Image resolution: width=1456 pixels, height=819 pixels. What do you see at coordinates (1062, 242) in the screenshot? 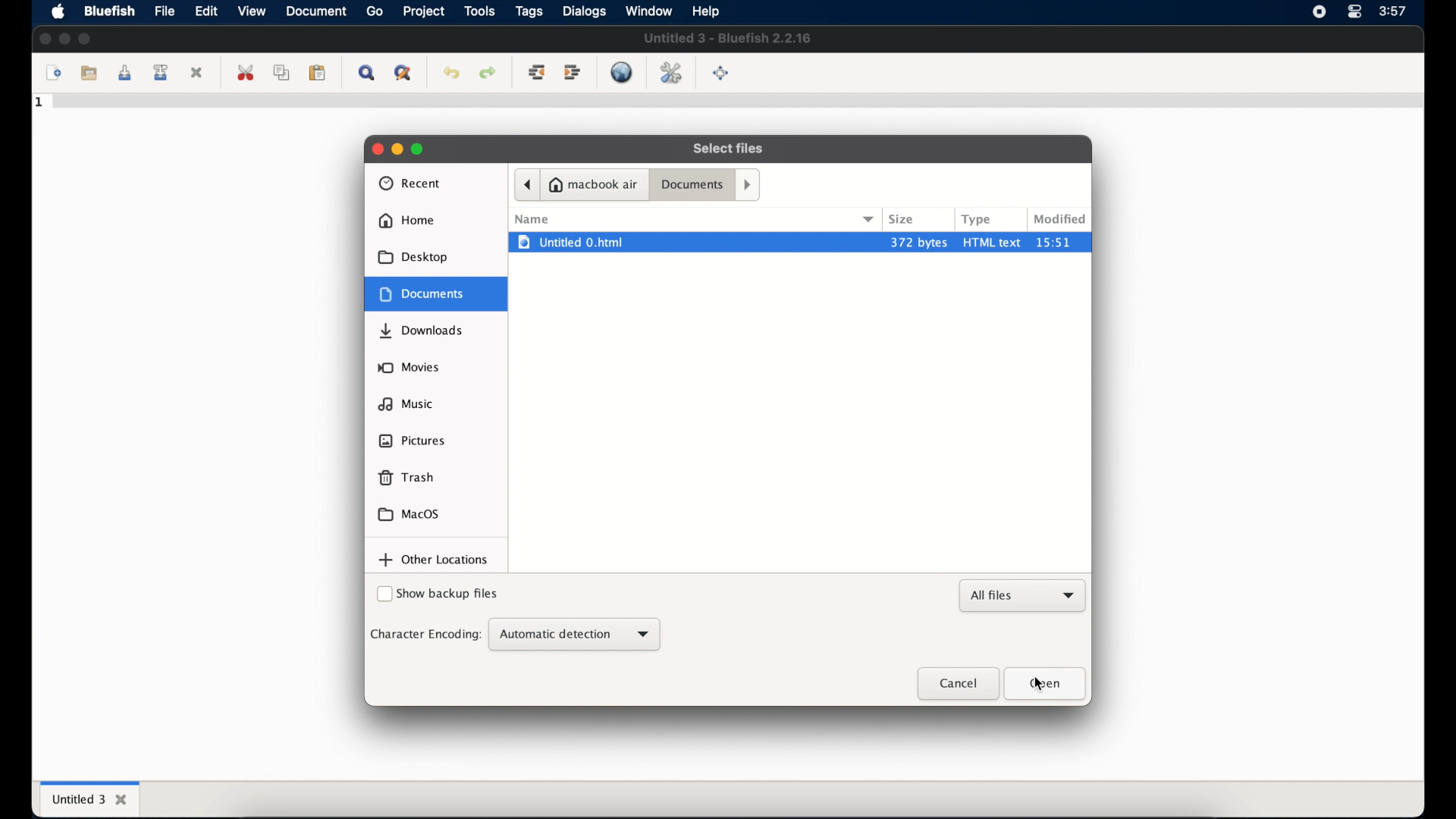
I see `15  : 51` at bounding box center [1062, 242].